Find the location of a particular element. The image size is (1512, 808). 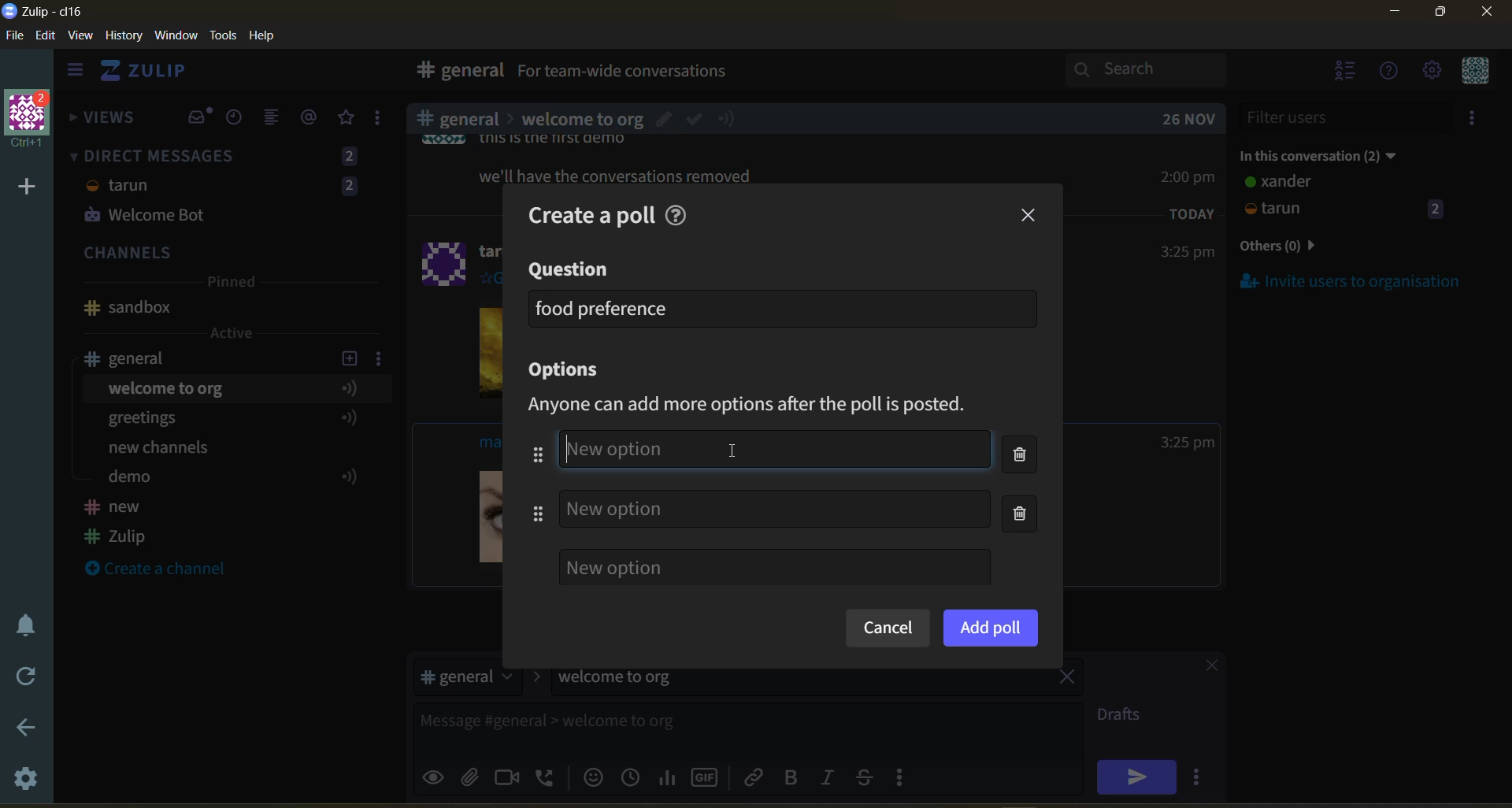

cancel is located at coordinates (887, 629).